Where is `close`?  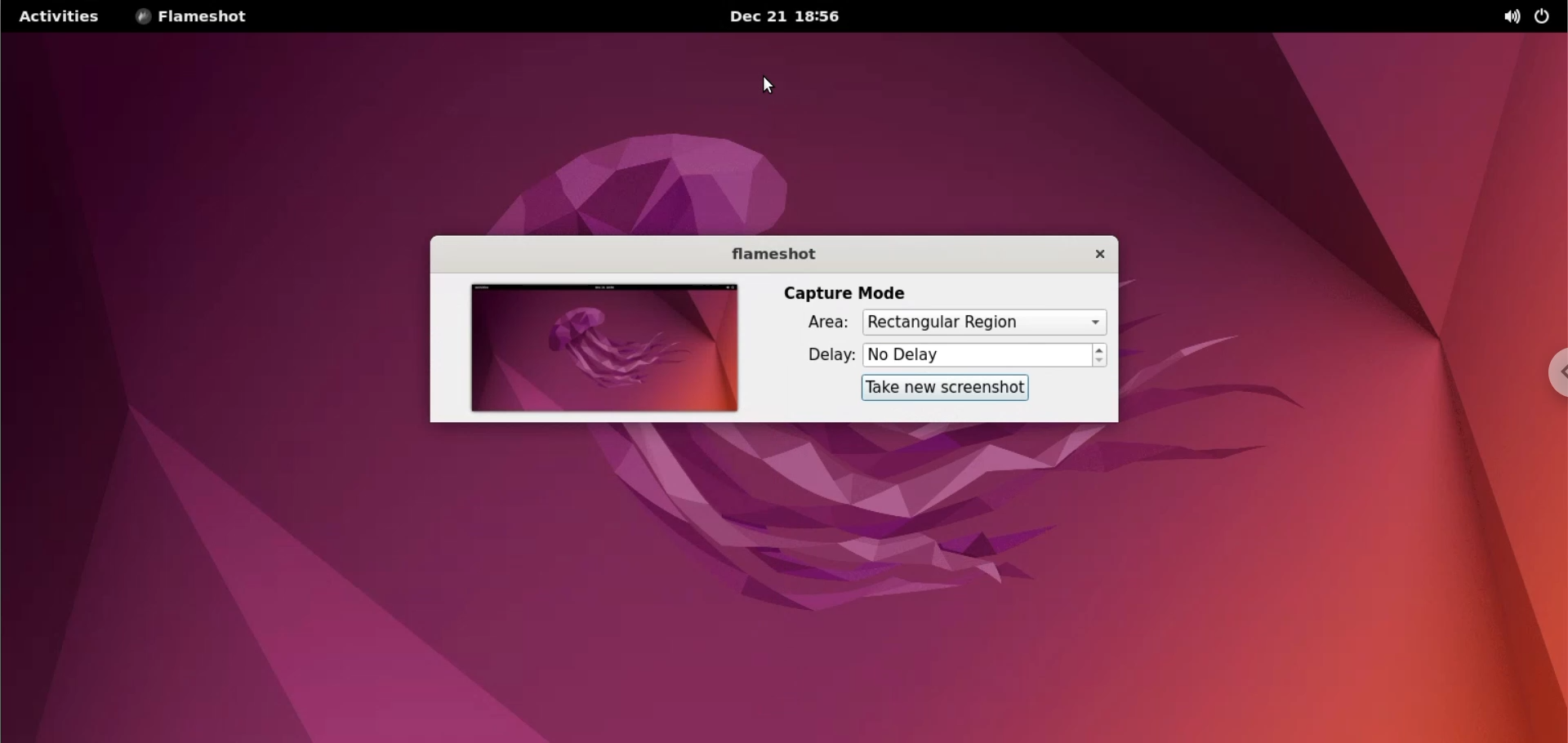
close is located at coordinates (1092, 254).